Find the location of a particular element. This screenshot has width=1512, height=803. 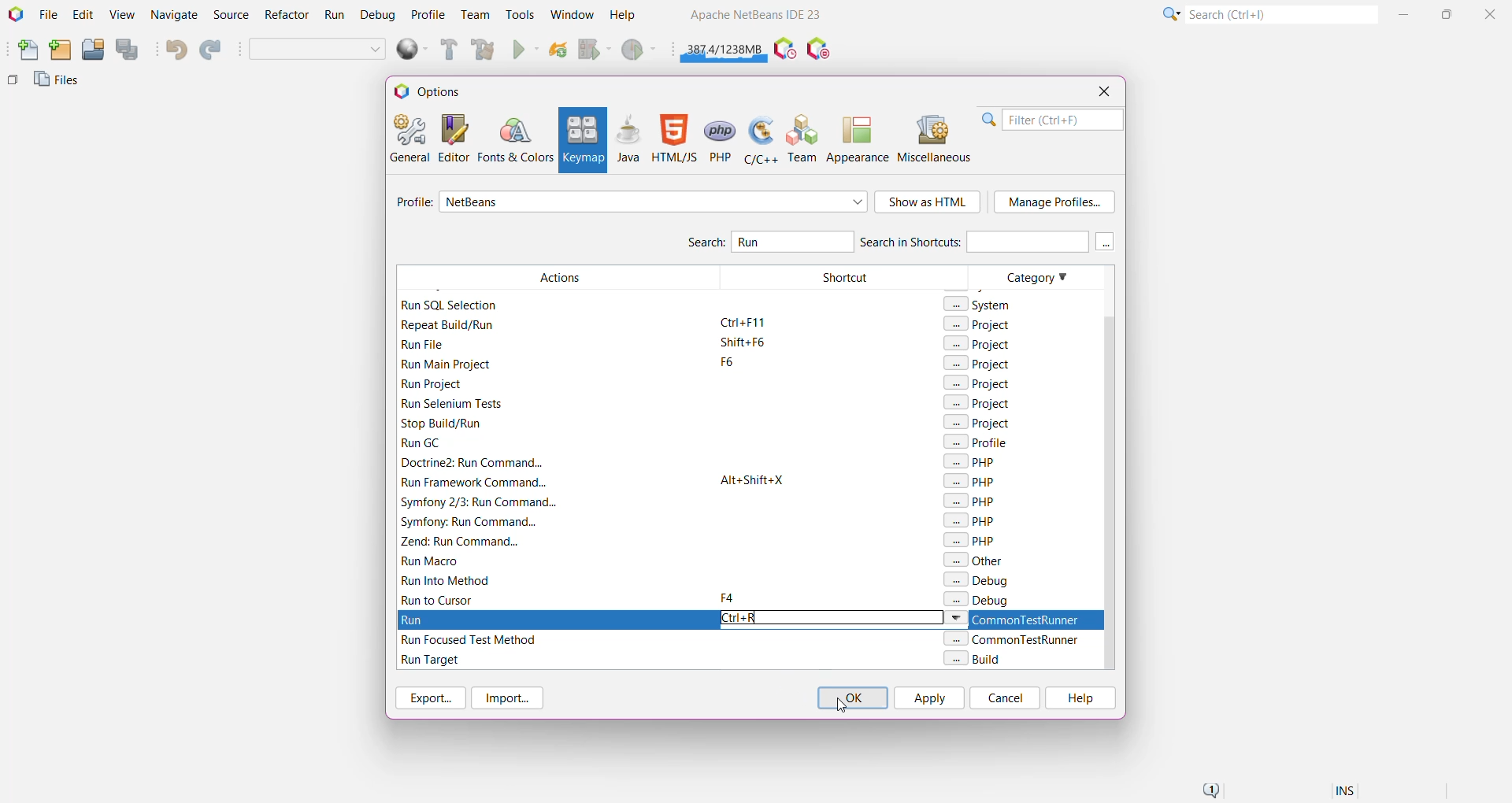

Source is located at coordinates (233, 15).